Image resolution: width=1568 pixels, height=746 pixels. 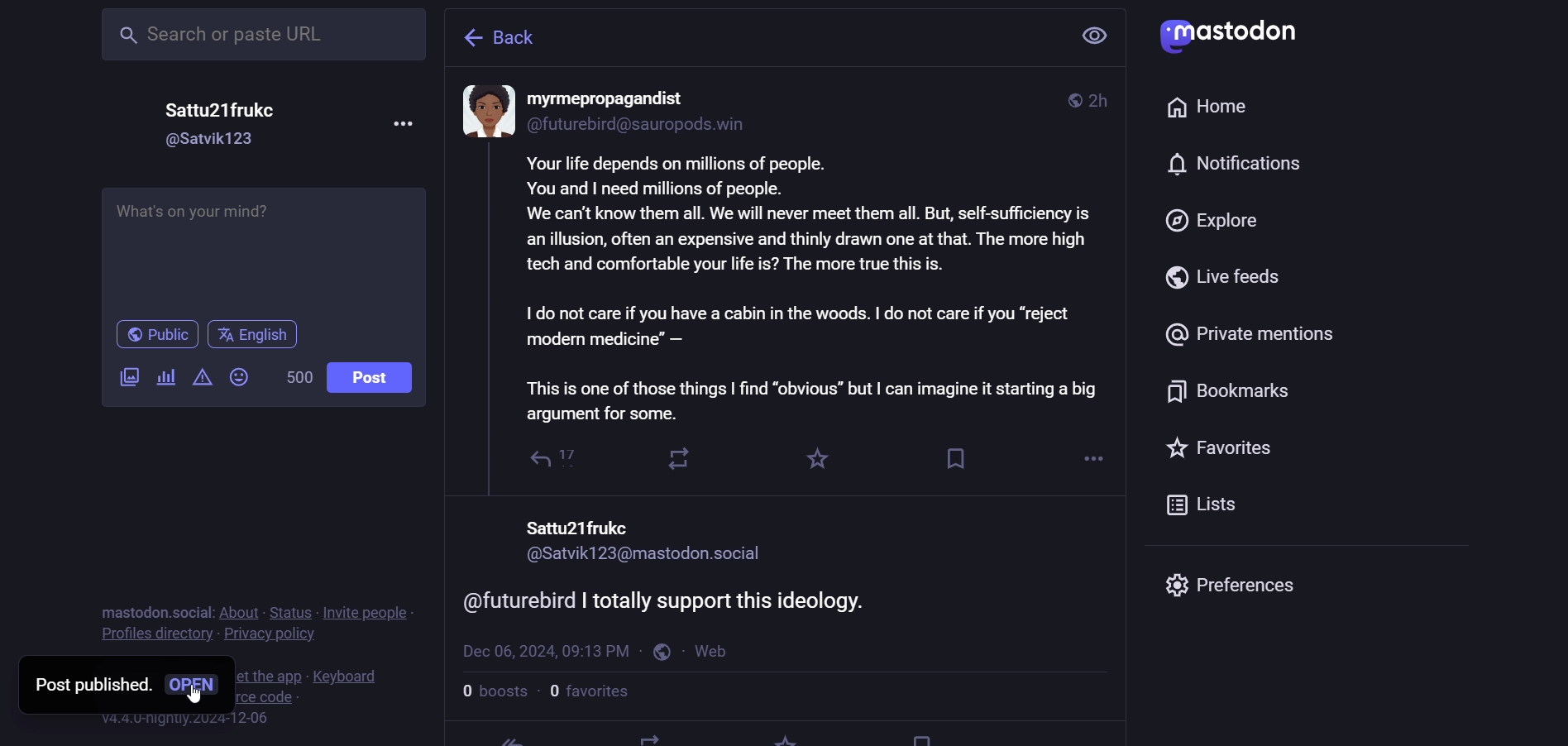 What do you see at coordinates (237, 375) in the screenshot?
I see `emoji` at bounding box center [237, 375].